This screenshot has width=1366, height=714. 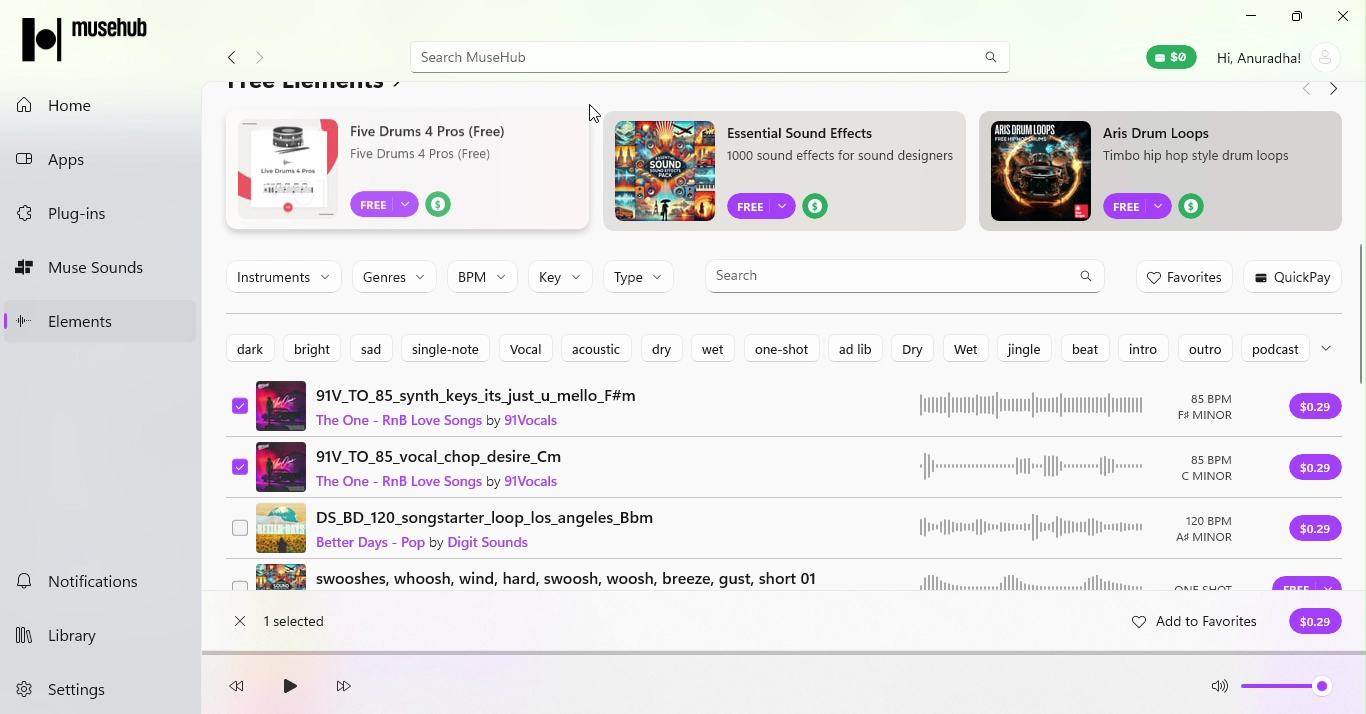 What do you see at coordinates (1087, 277) in the screenshot?
I see `Search` at bounding box center [1087, 277].